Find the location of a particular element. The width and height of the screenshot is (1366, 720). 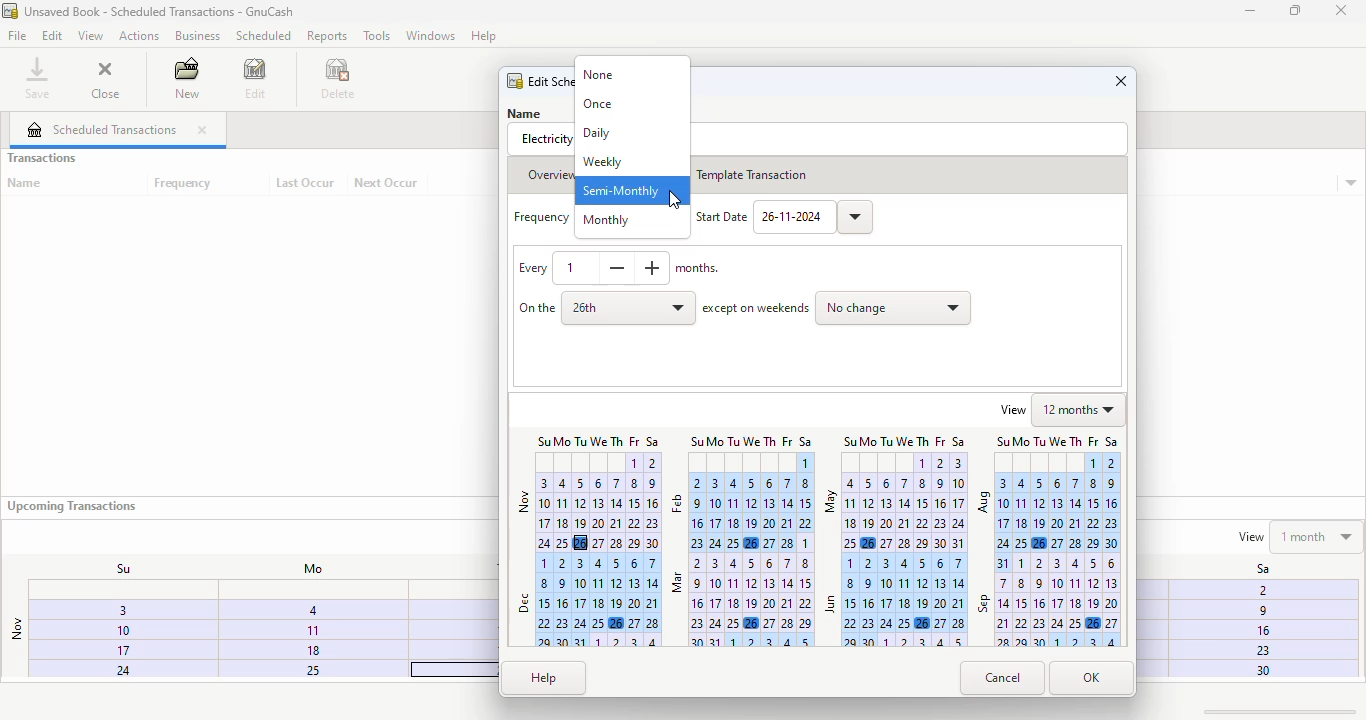

16 is located at coordinates (1261, 631).